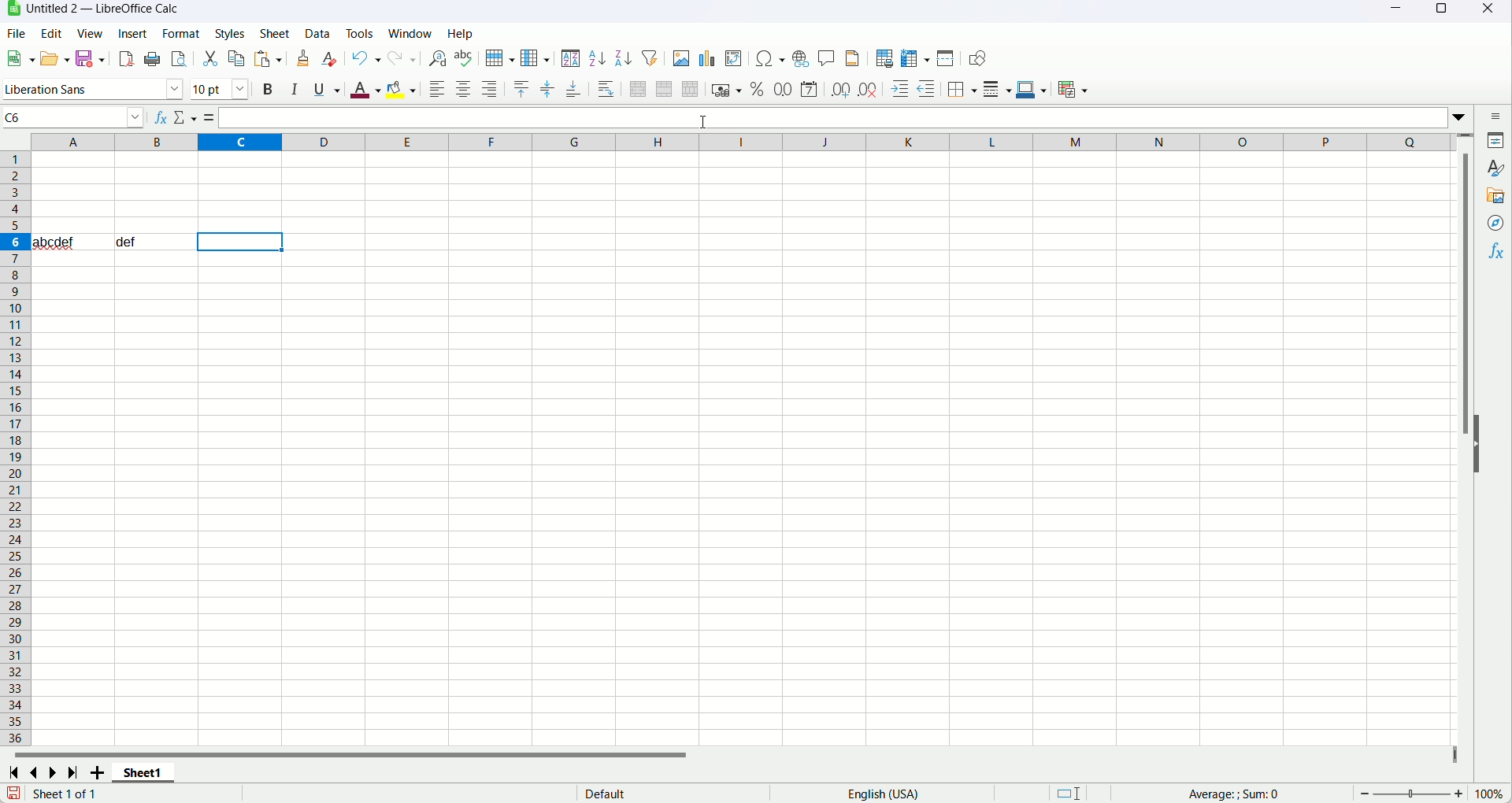  Describe the element at coordinates (436, 88) in the screenshot. I see `align left` at that location.